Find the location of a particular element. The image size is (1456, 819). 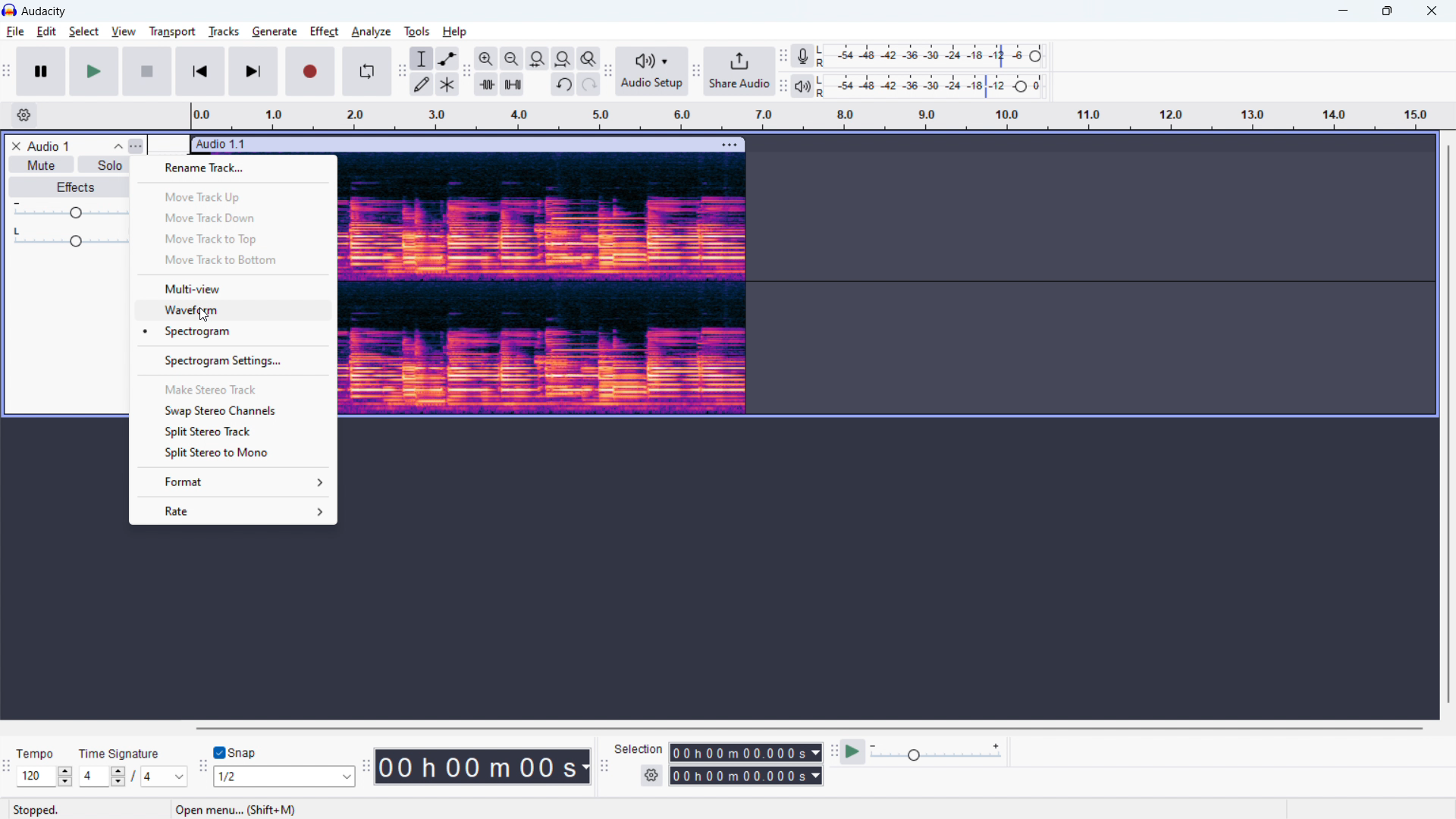

envelop tool is located at coordinates (447, 59).